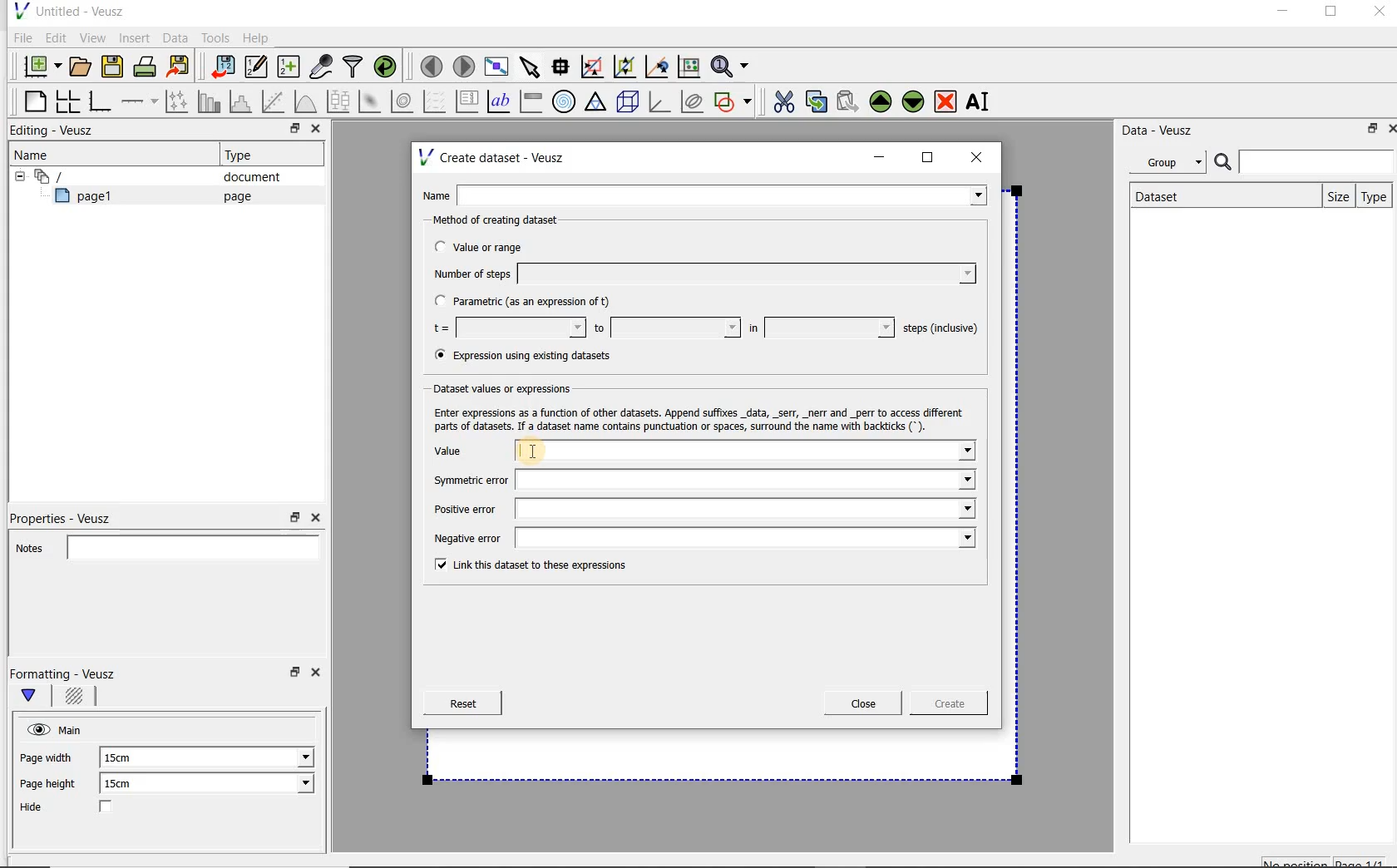  Describe the element at coordinates (982, 156) in the screenshot. I see `close` at that location.